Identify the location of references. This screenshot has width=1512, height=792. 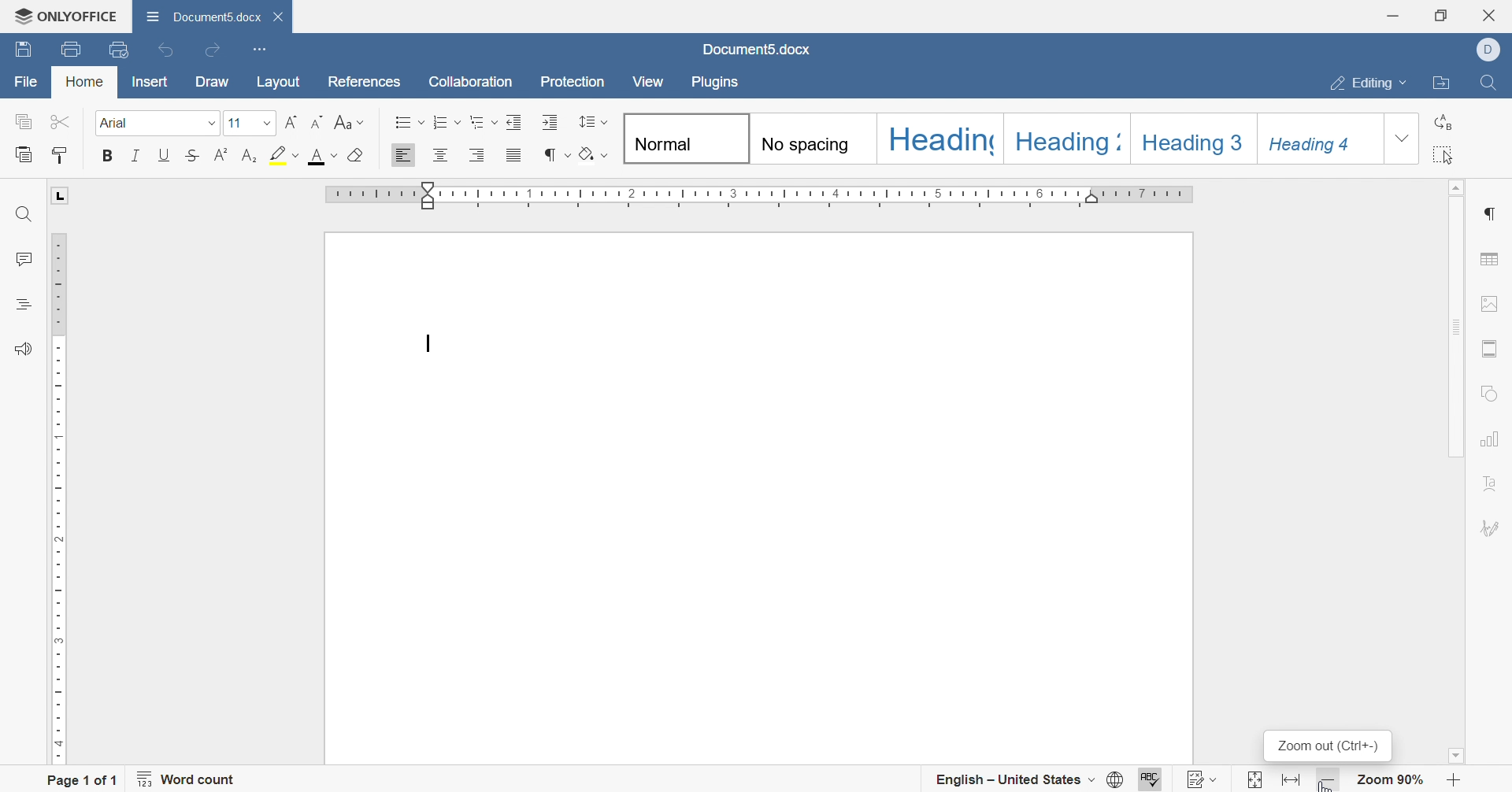
(364, 83).